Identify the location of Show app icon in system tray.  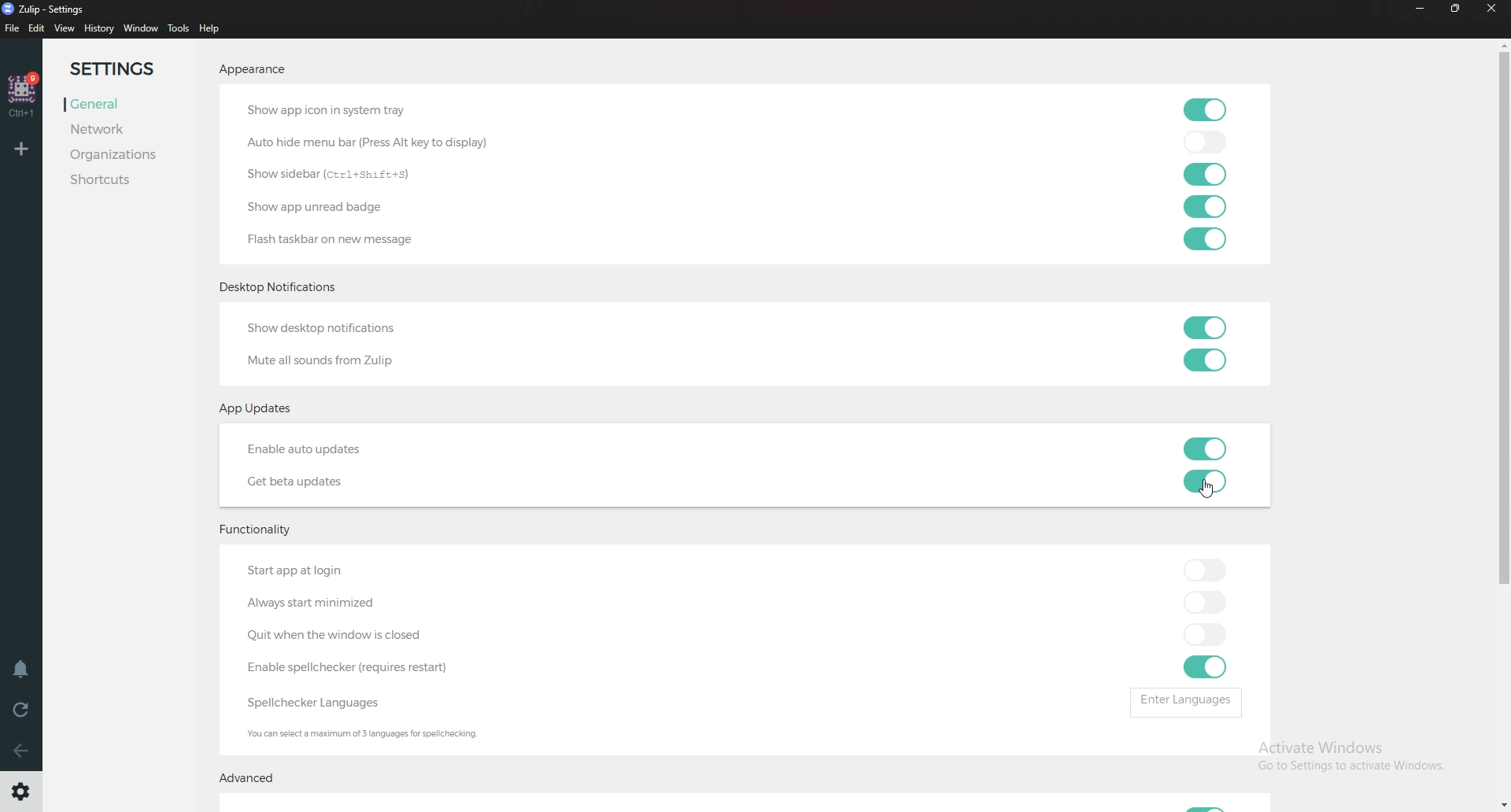
(342, 110).